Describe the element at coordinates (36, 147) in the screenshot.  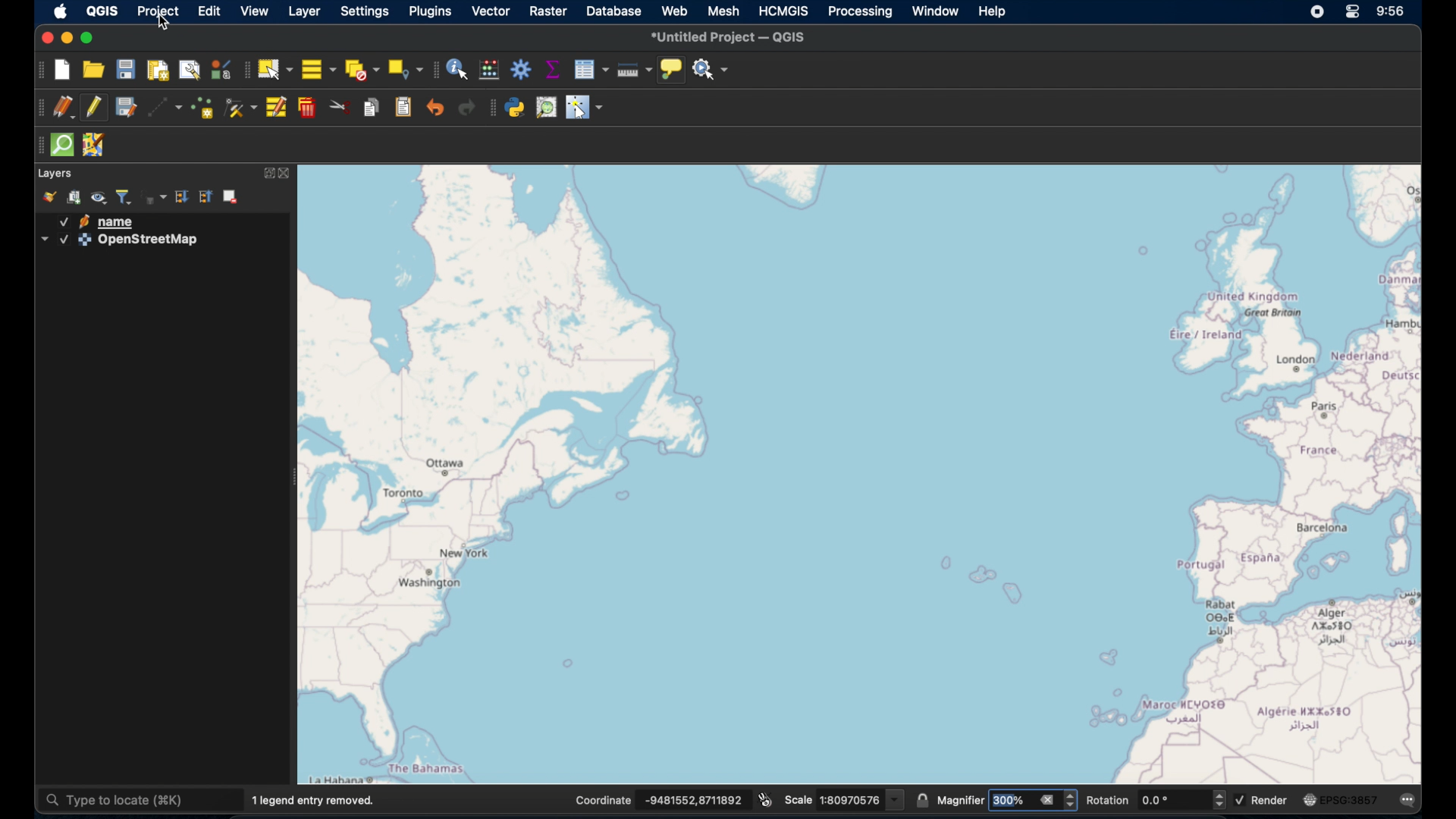
I see `drag handles` at that location.